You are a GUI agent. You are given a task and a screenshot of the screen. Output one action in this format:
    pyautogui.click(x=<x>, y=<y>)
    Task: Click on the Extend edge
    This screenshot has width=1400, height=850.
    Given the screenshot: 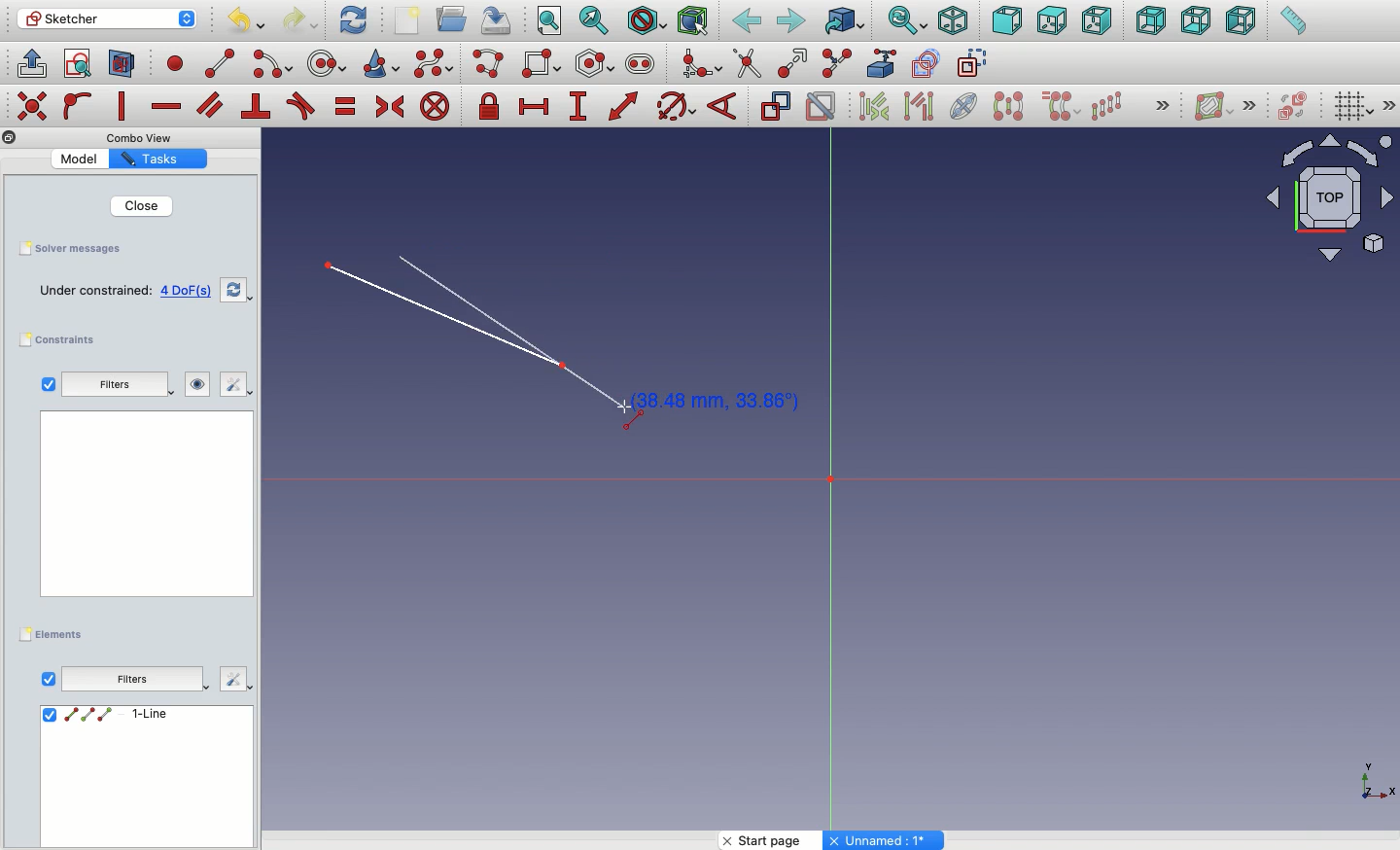 What is the action you would take?
    pyautogui.click(x=796, y=61)
    